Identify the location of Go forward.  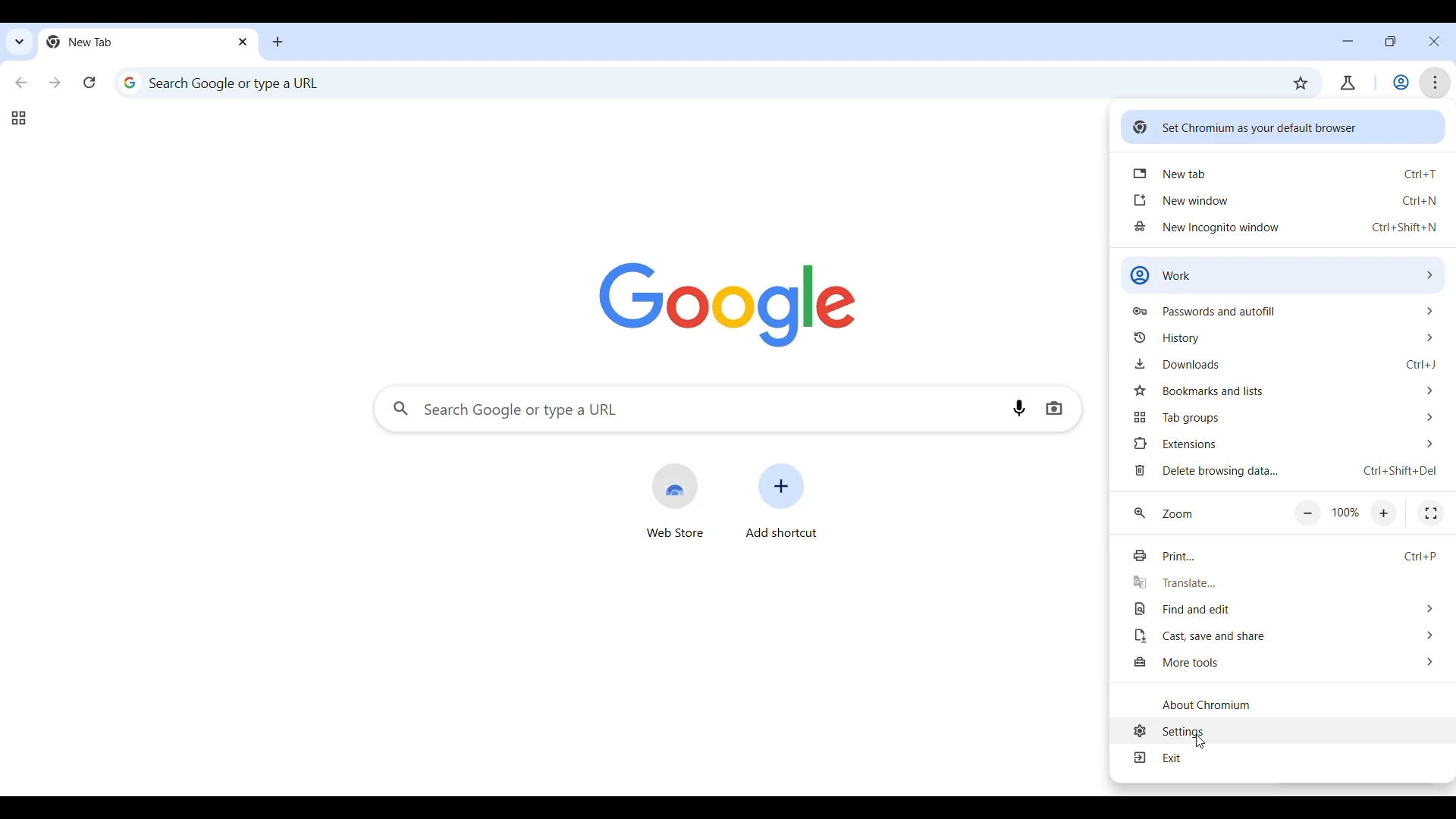
(54, 83).